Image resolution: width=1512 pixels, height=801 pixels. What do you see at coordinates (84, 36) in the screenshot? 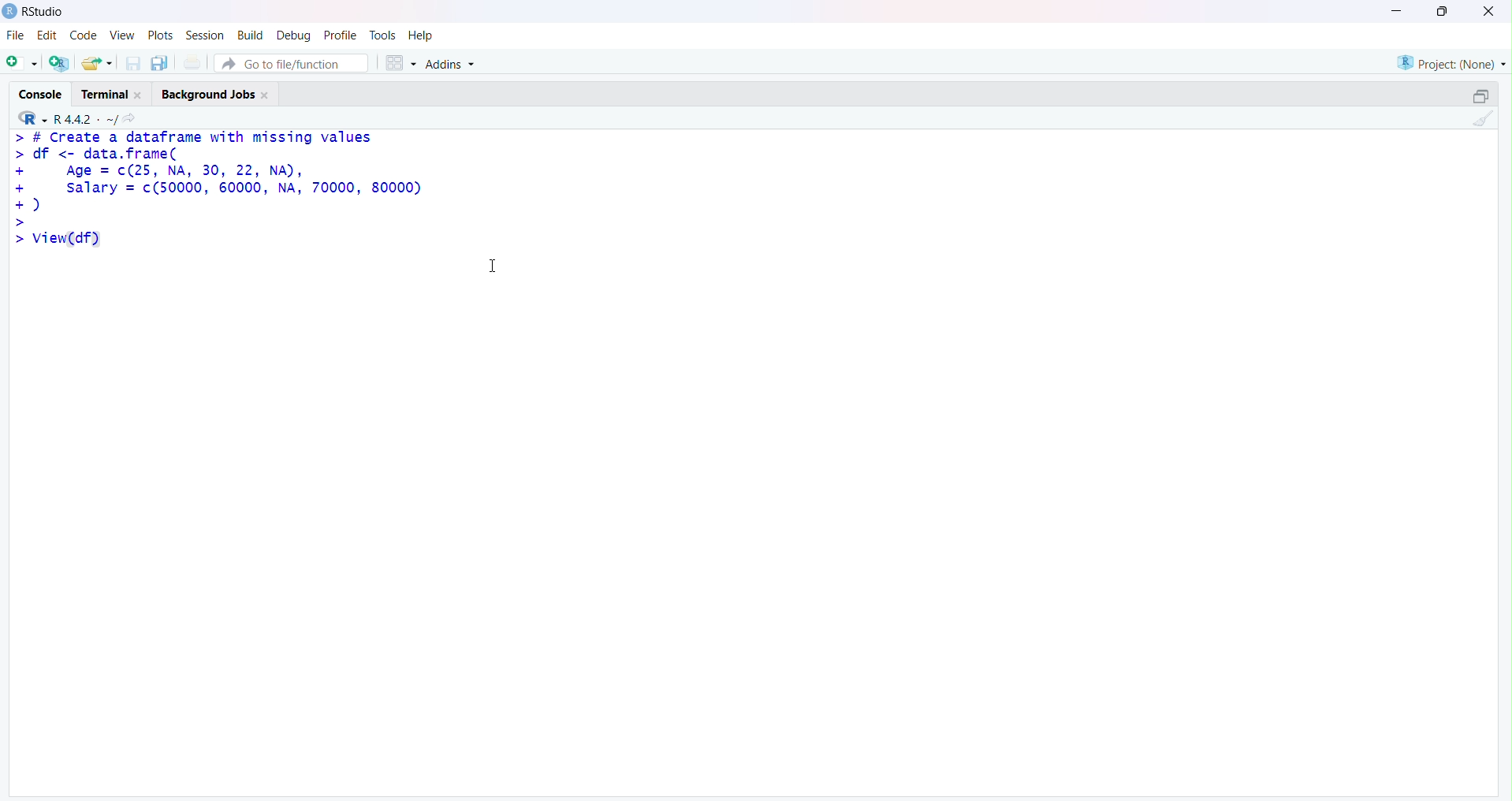
I see `Code` at bounding box center [84, 36].